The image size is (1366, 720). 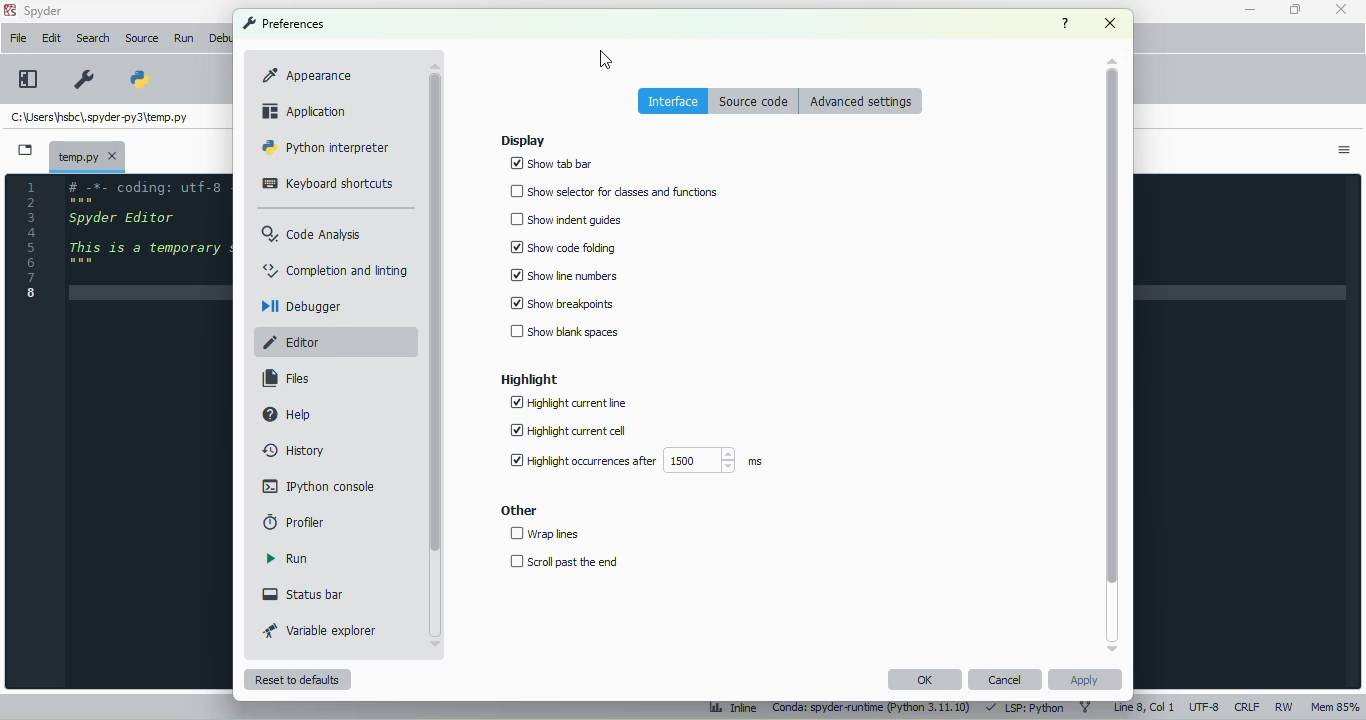 I want to click on run, so click(x=288, y=559).